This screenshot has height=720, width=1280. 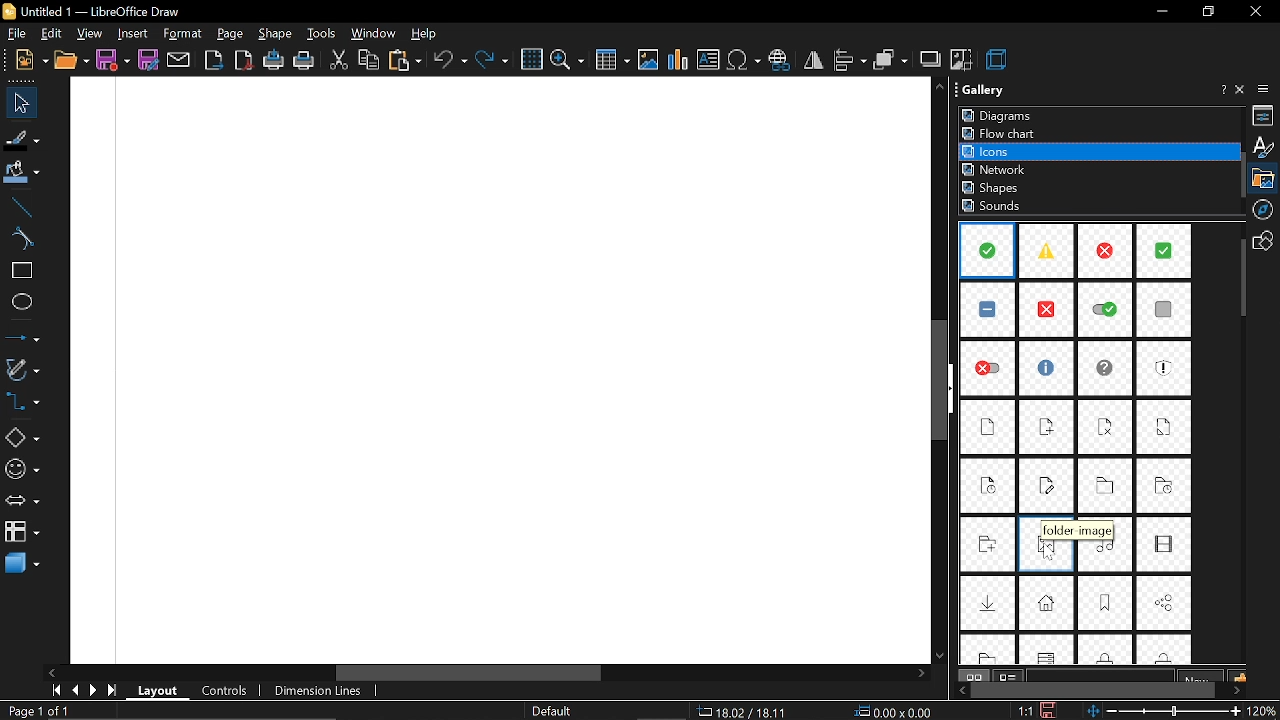 I want to click on rectangle, so click(x=18, y=271).